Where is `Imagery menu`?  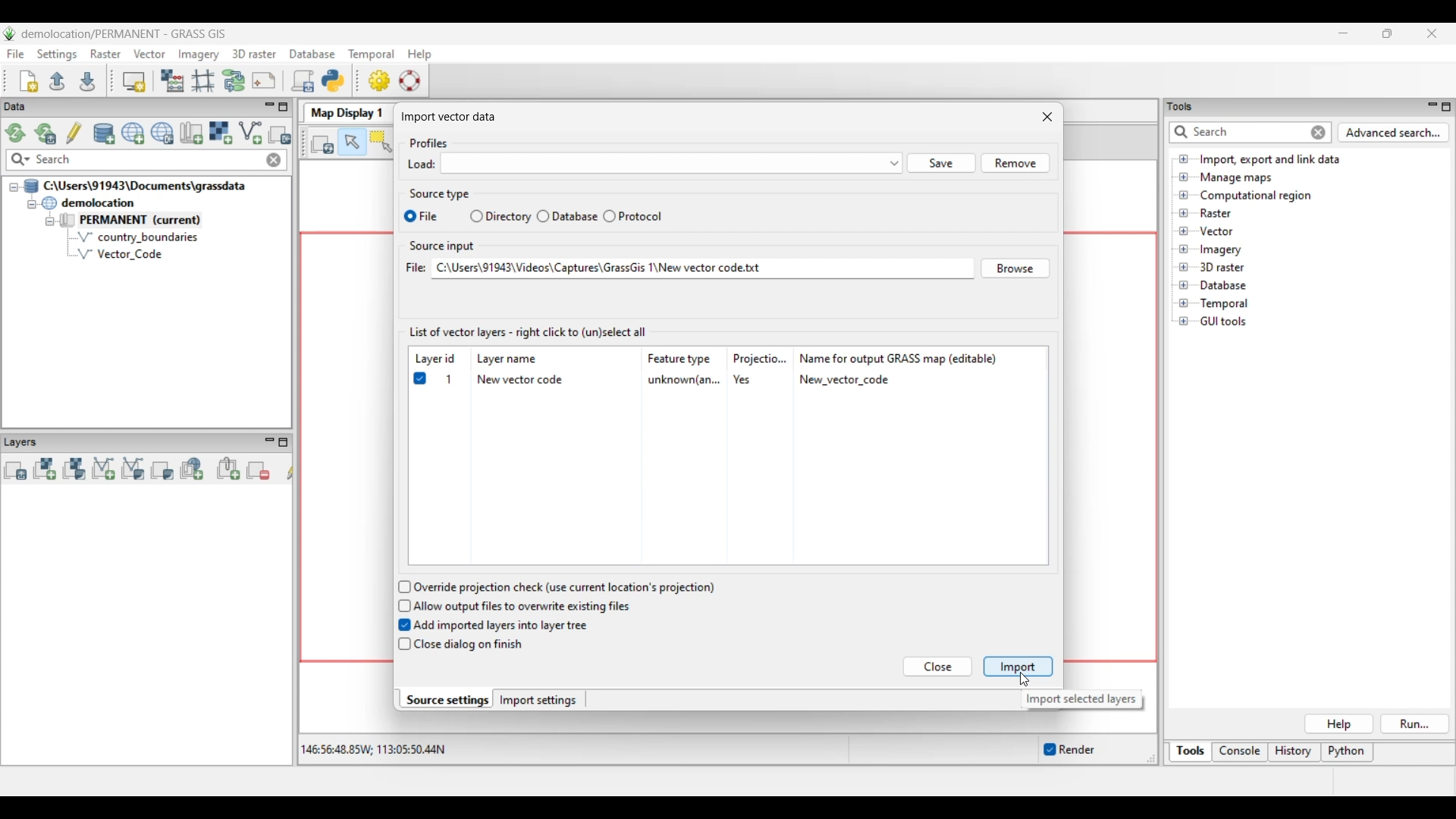 Imagery menu is located at coordinates (199, 55).